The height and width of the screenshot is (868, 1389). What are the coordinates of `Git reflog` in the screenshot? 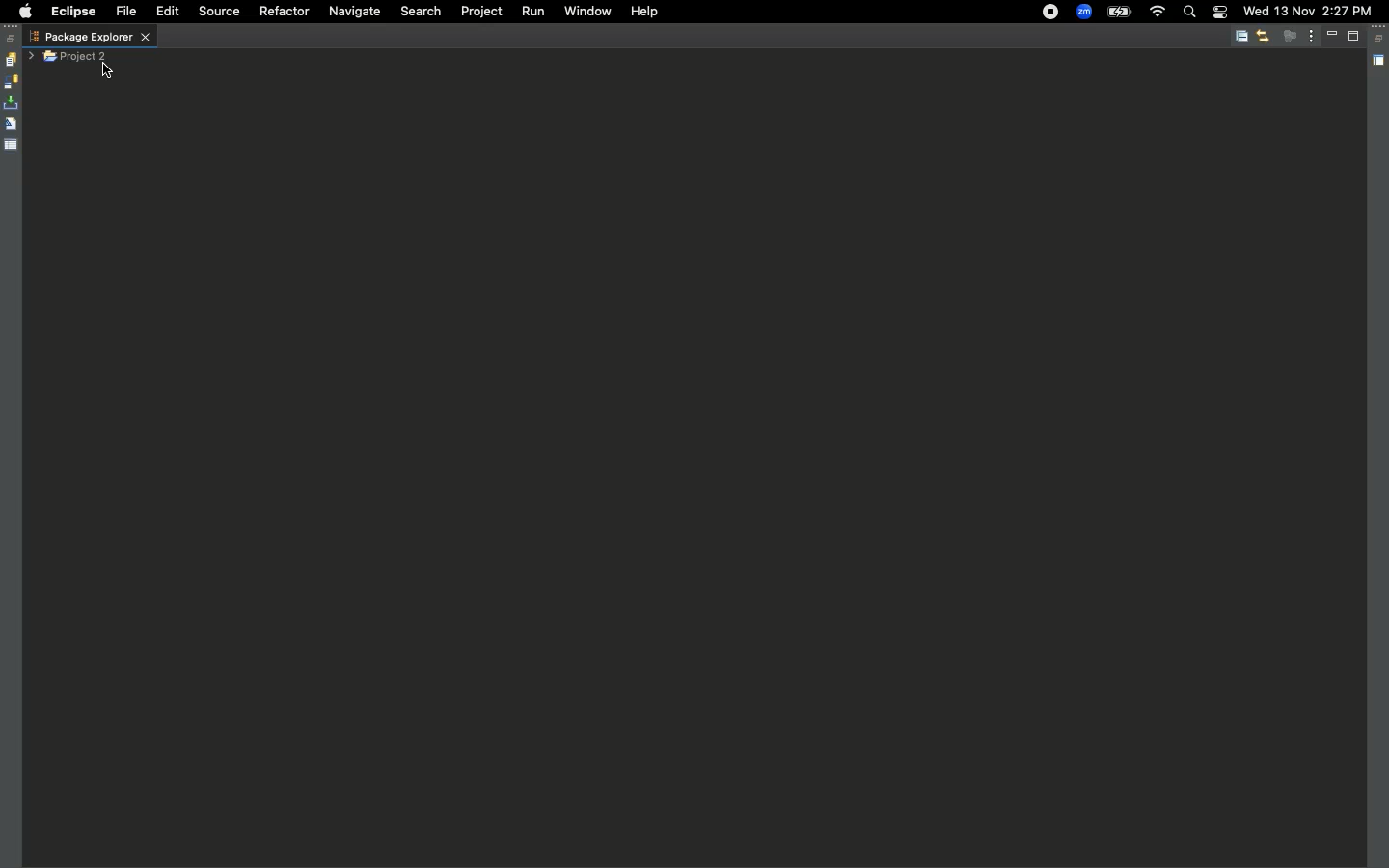 It's located at (11, 125).